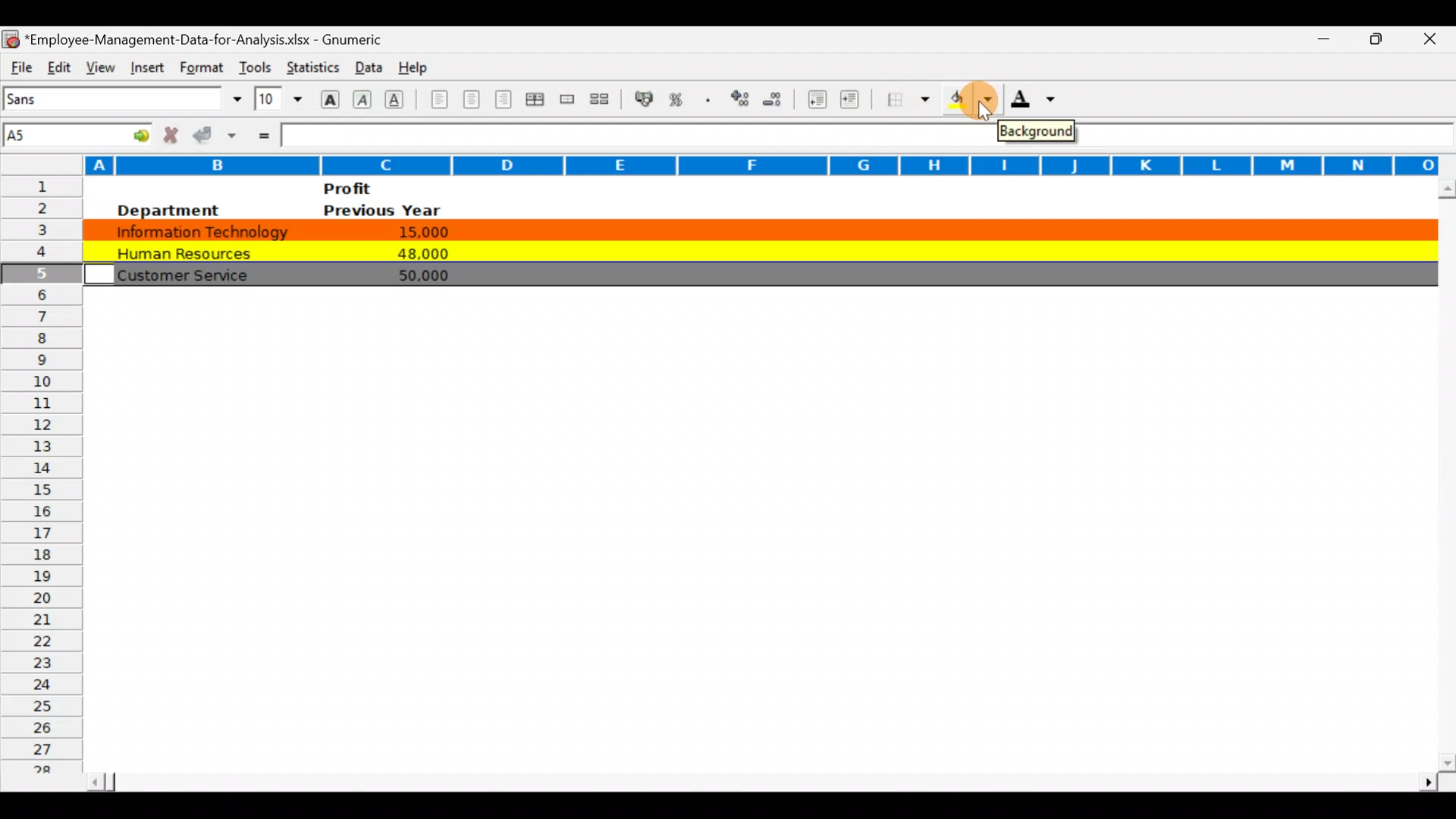 This screenshot has height=819, width=1456. I want to click on Foreground, so click(1038, 104).